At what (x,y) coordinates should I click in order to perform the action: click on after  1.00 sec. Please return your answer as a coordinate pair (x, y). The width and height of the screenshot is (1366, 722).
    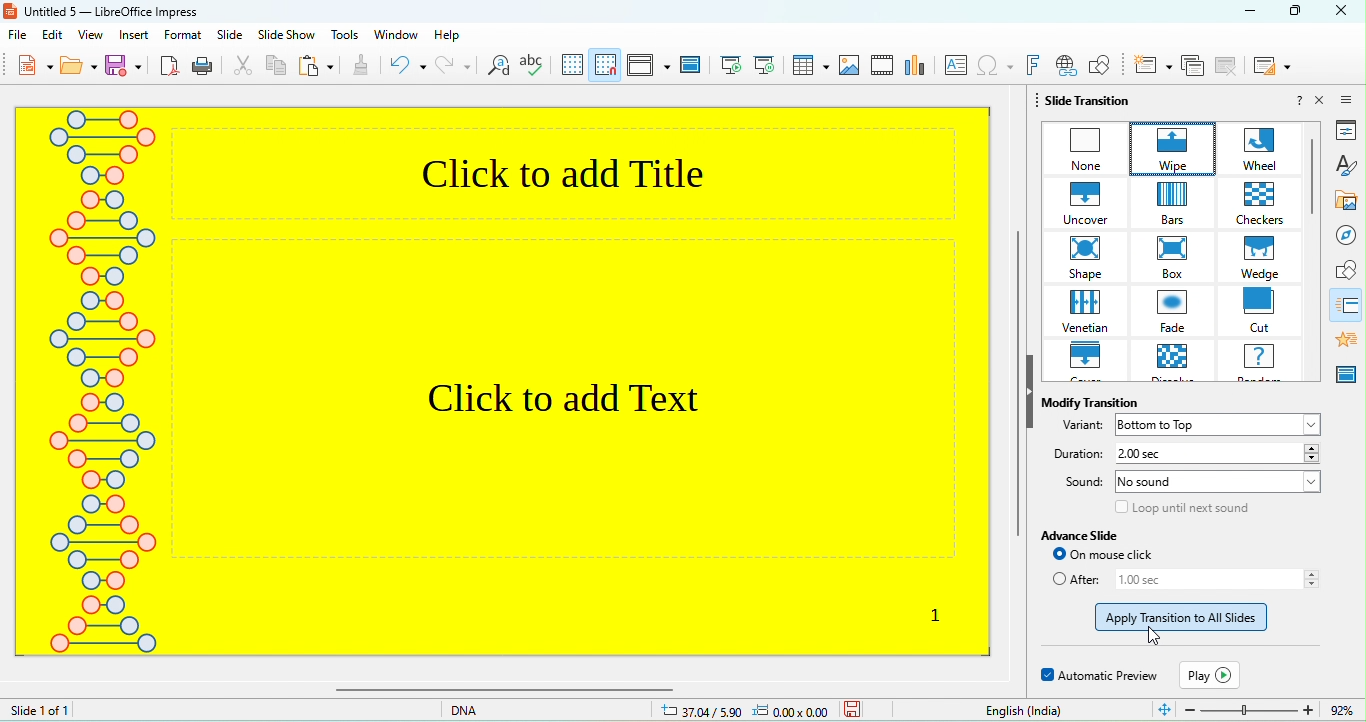
    Looking at the image, I should click on (1187, 582).